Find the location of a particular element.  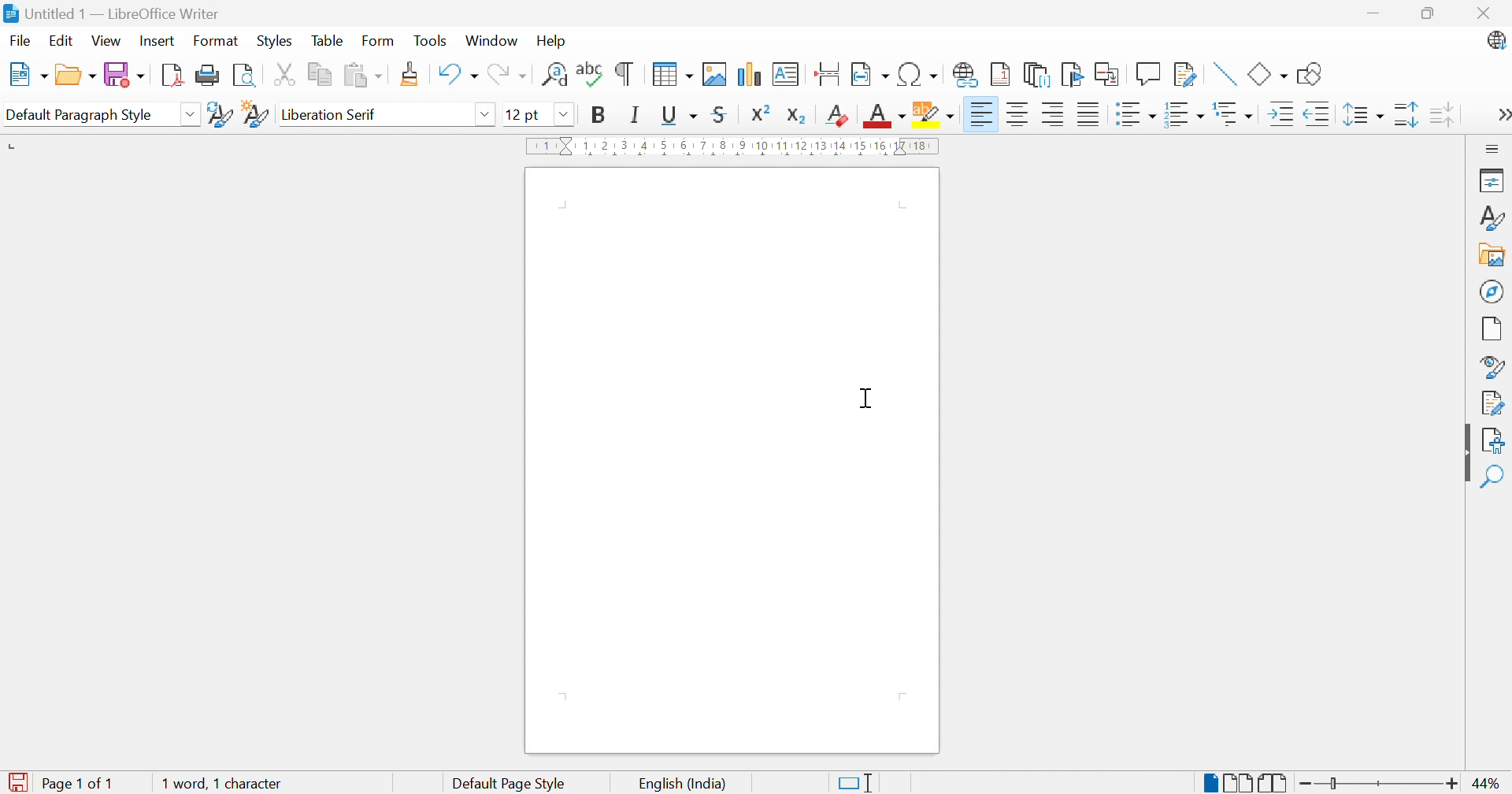

Sidebar settings is located at coordinates (1493, 147).